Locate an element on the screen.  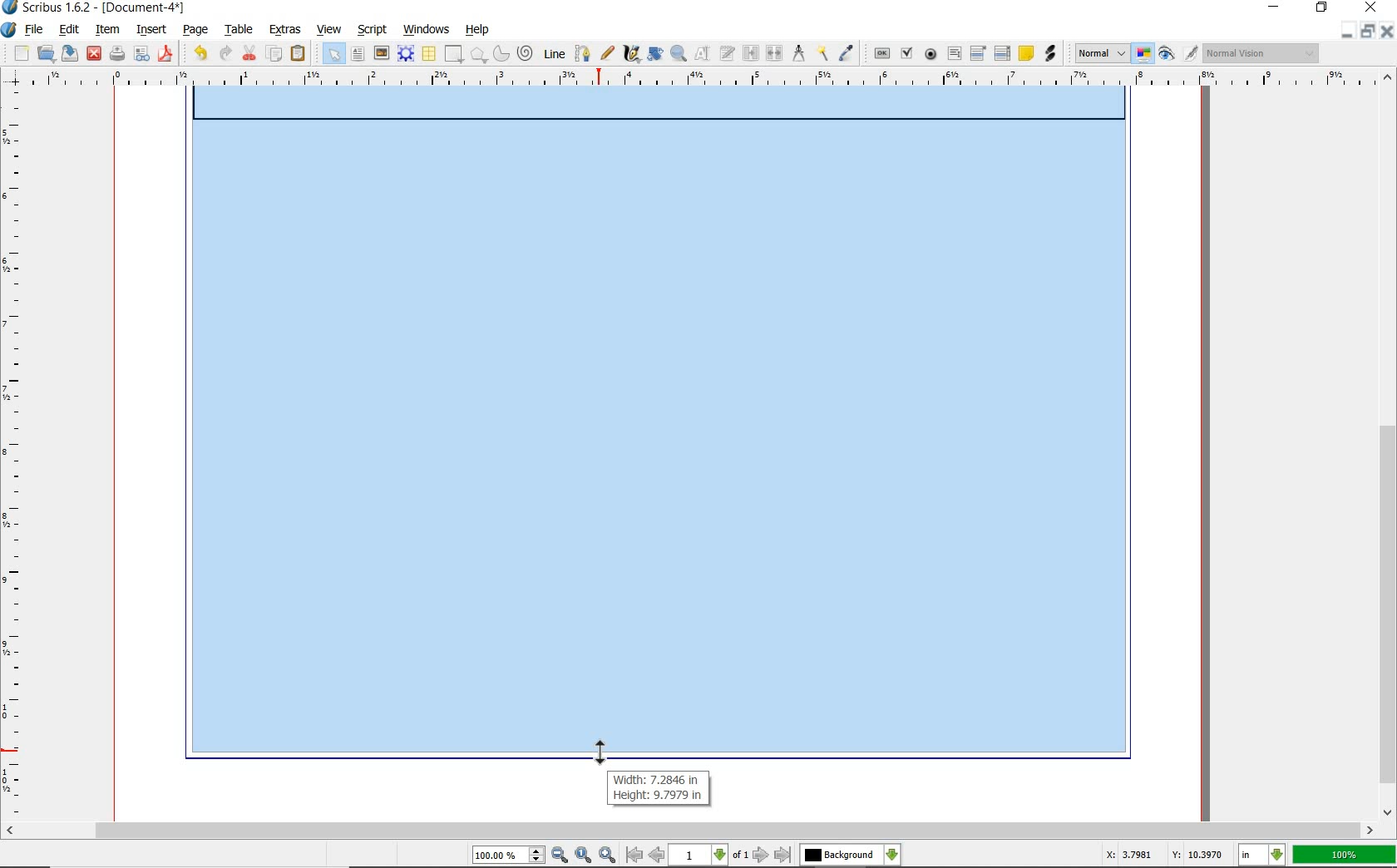
100.00% is located at coordinates (510, 856).